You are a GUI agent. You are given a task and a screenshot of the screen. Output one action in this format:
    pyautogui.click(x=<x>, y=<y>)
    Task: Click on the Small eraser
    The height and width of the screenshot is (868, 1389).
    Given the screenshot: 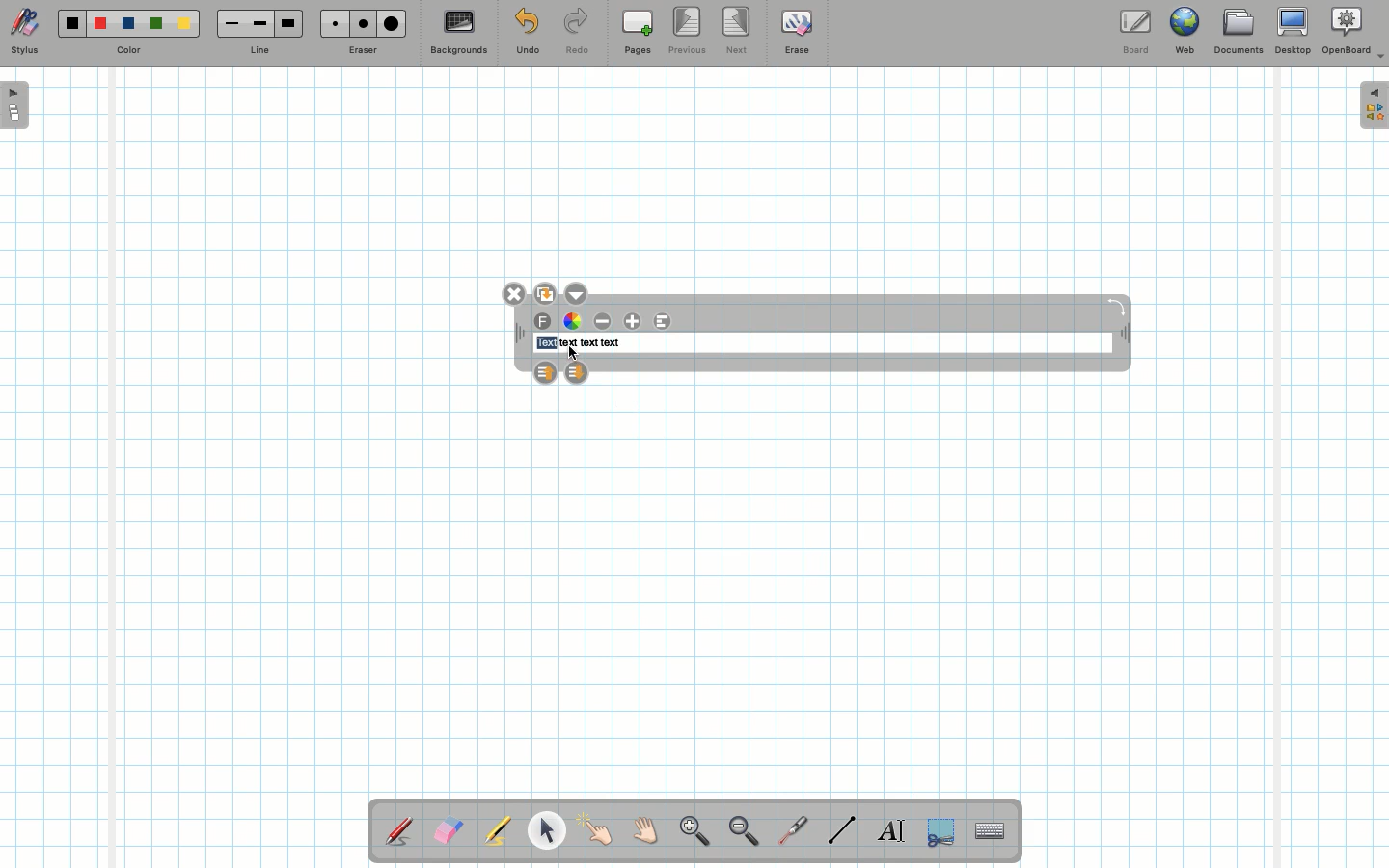 What is the action you would take?
    pyautogui.click(x=330, y=23)
    